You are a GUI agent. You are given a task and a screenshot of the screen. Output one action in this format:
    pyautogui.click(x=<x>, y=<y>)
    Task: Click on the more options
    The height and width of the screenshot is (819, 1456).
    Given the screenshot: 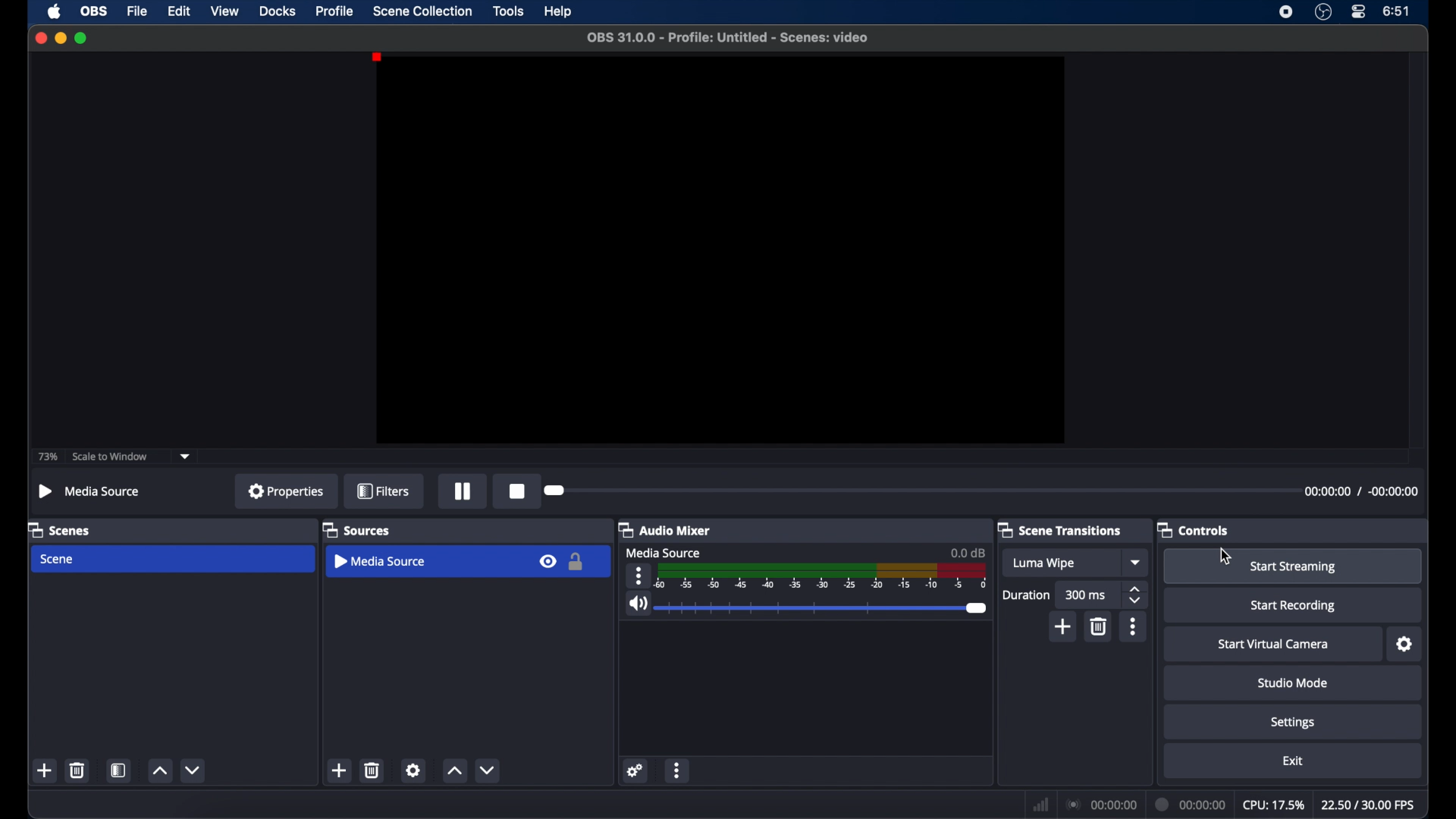 What is the action you would take?
    pyautogui.click(x=678, y=771)
    